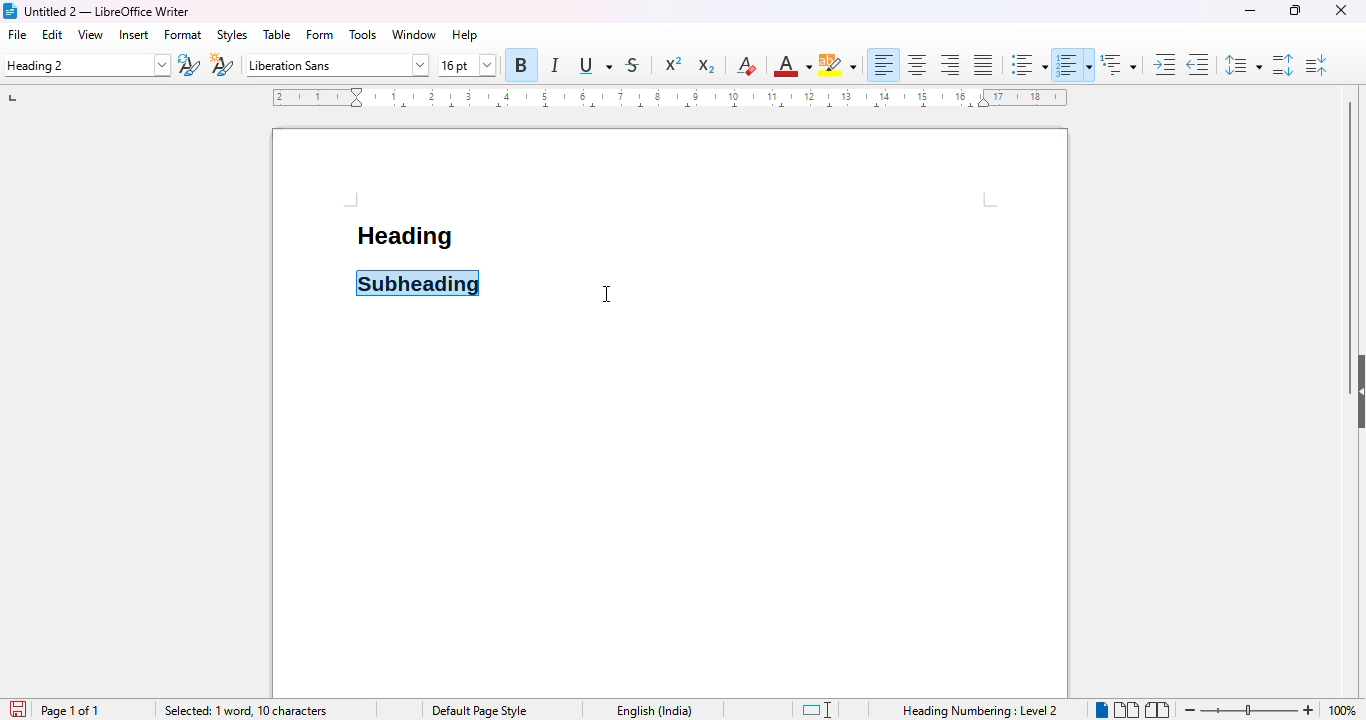  I want to click on toggle ordered list, so click(1074, 65).